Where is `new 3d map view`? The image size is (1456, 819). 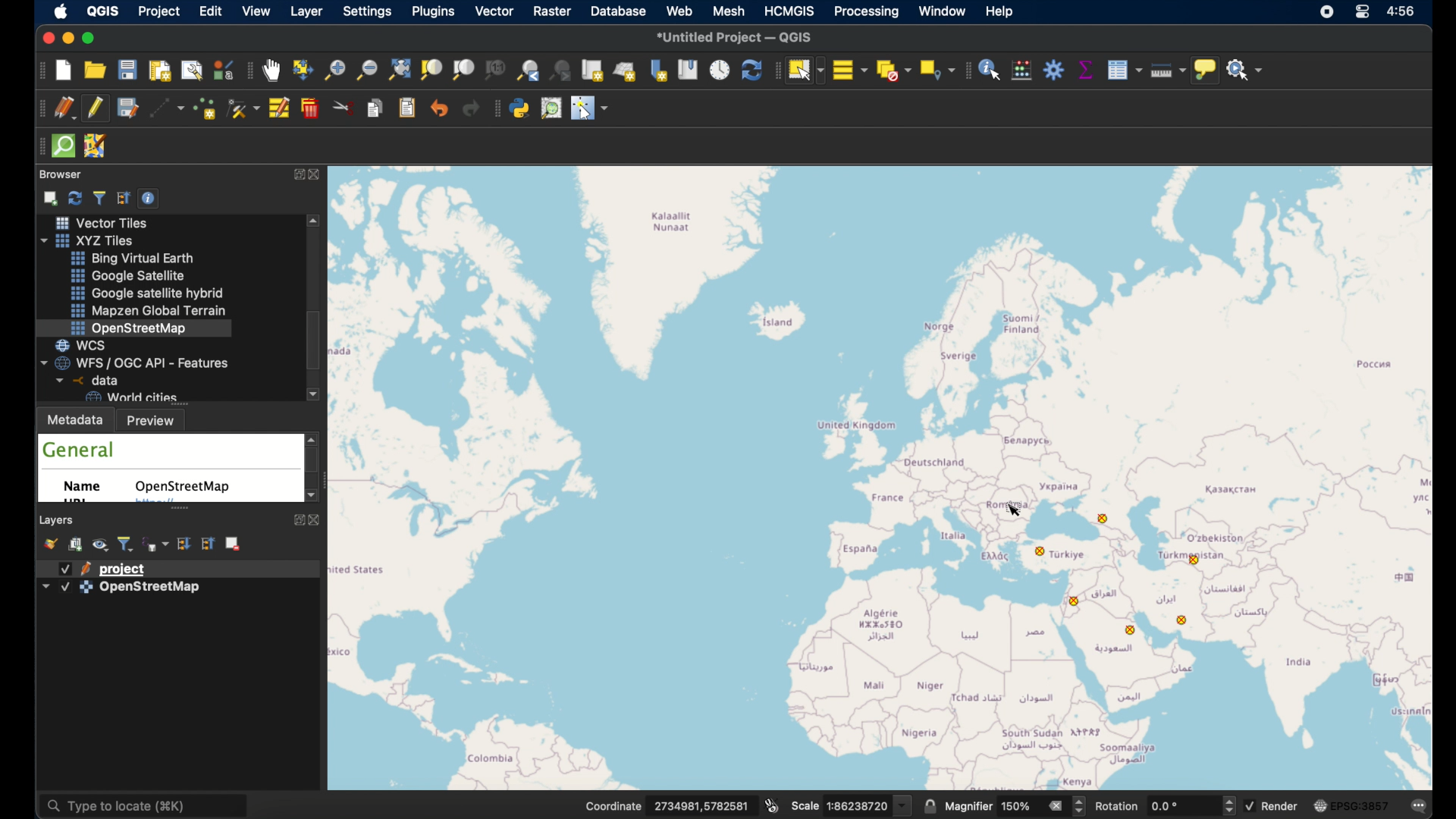 new 3d map view is located at coordinates (626, 71).